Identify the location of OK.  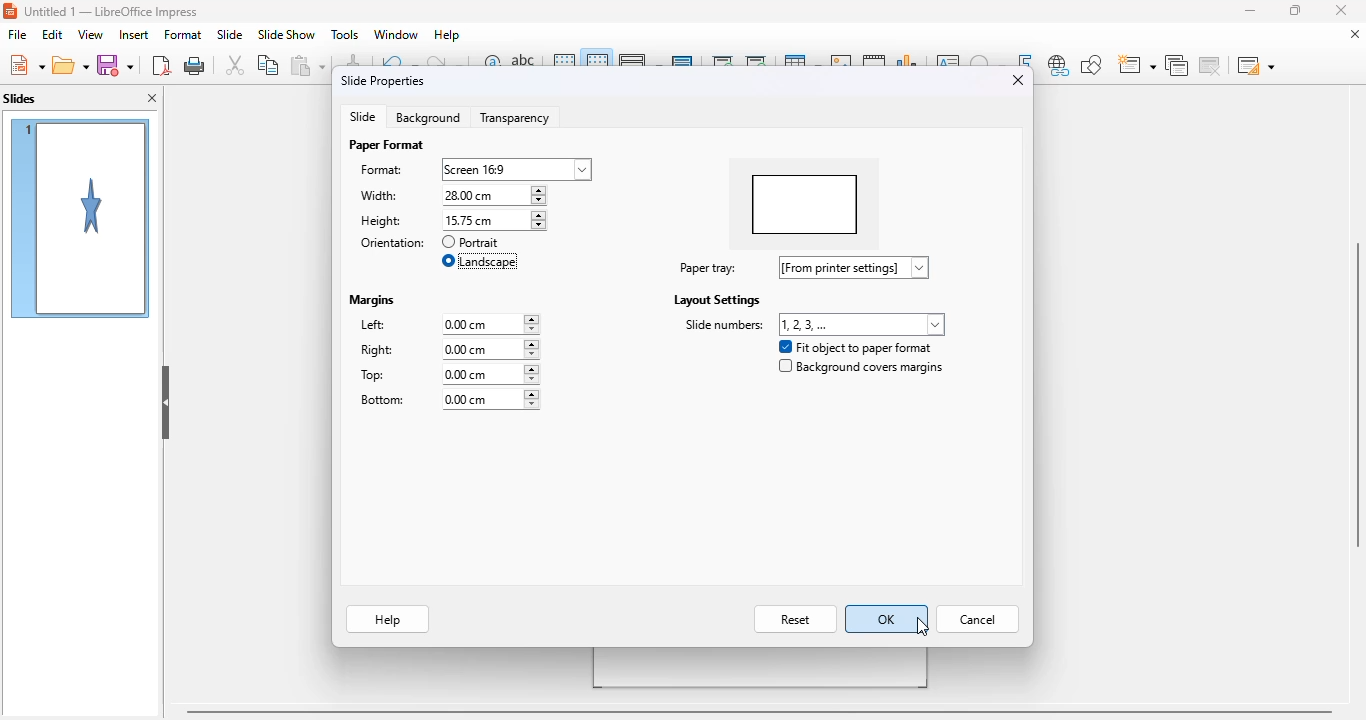
(886, 618).